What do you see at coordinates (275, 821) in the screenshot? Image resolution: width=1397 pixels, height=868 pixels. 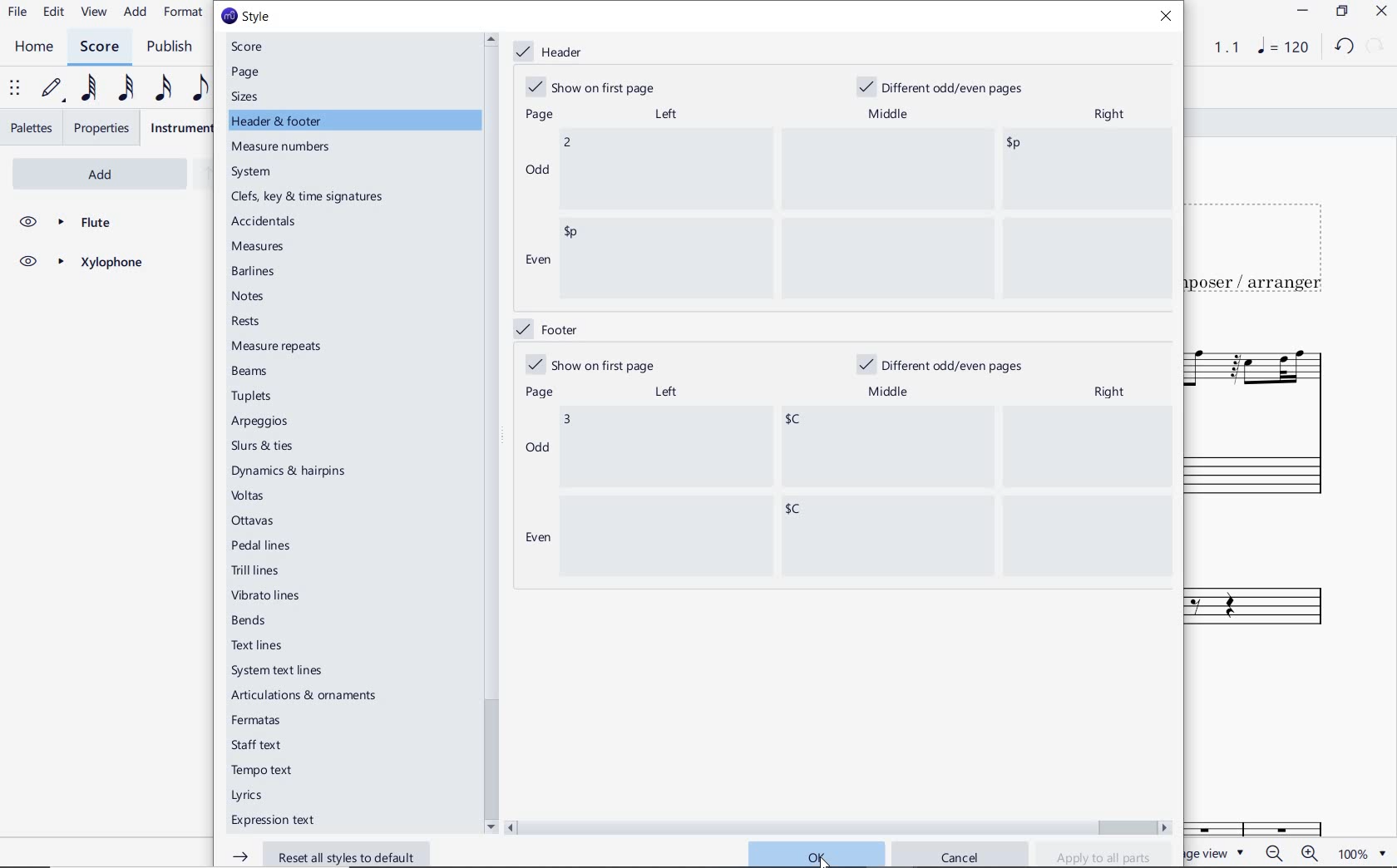 I see `expression text` at bounding box center [275, 821].